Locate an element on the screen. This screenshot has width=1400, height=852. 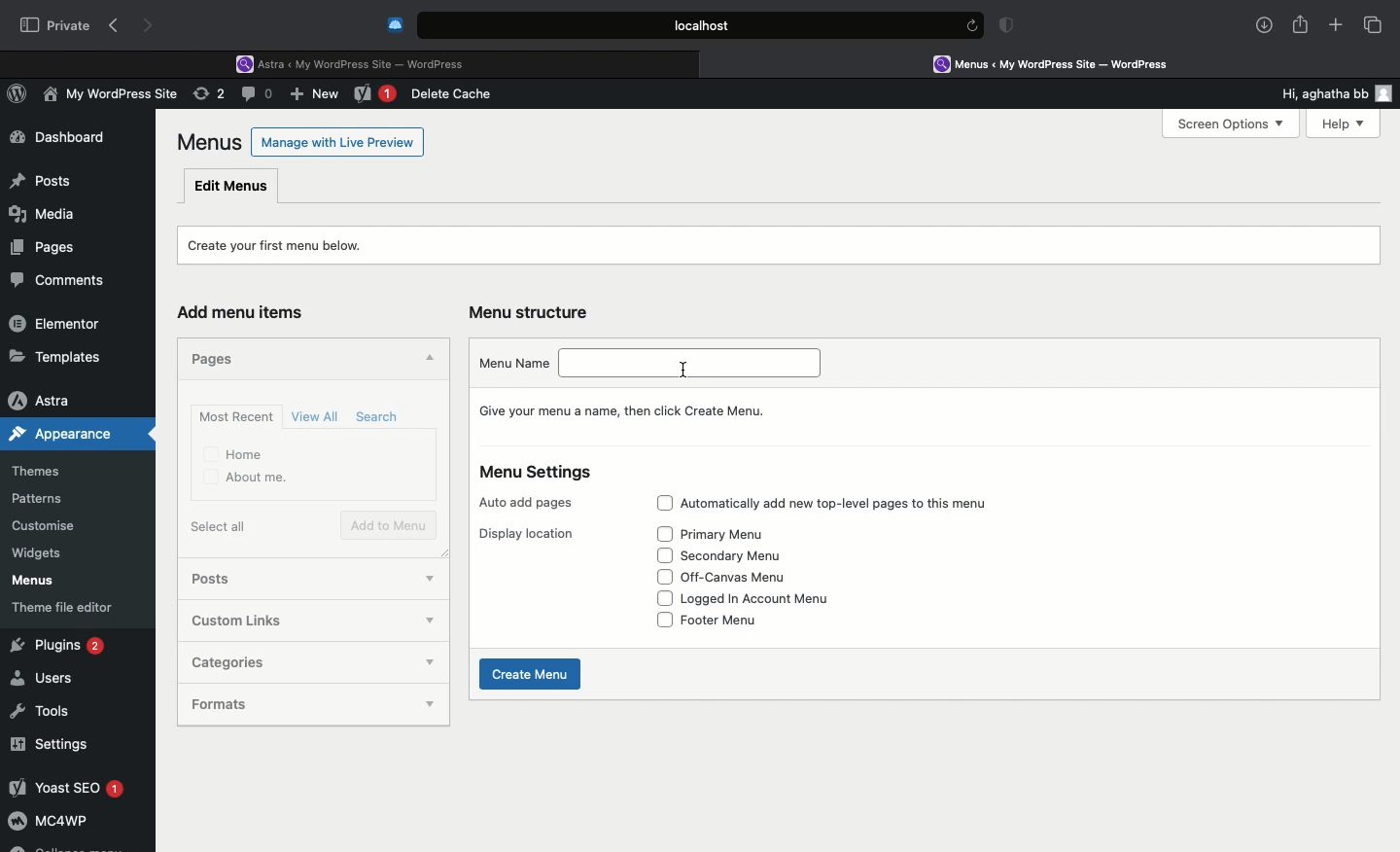
Add to menu is located at coordinates (391, 526).